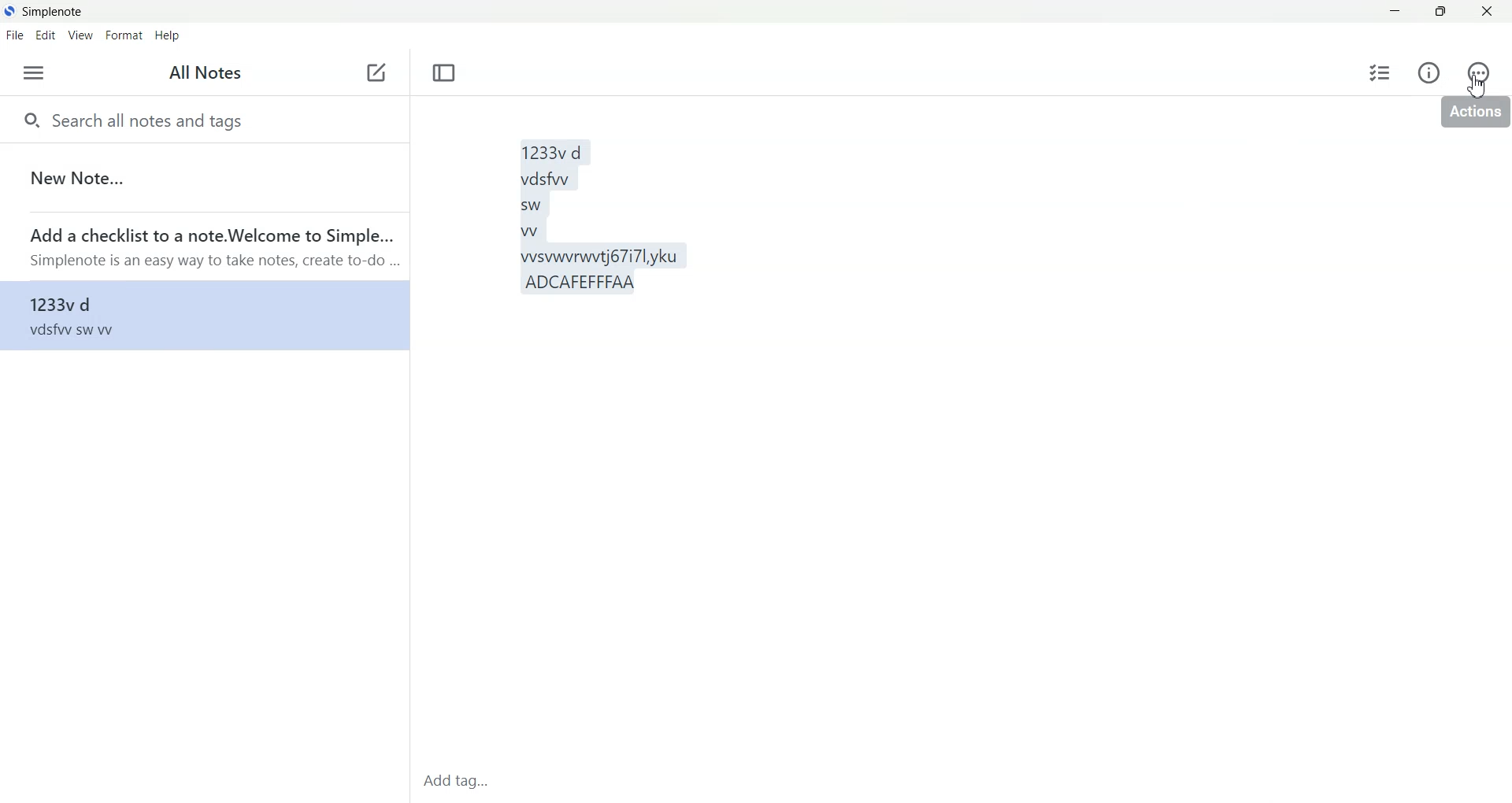 Image resolution: width=1512 pixels, height=803 pixels. I want to click on 1233v d vdsfw sw W www677lyku ADCAFEFFFAA, so click(925, 432).